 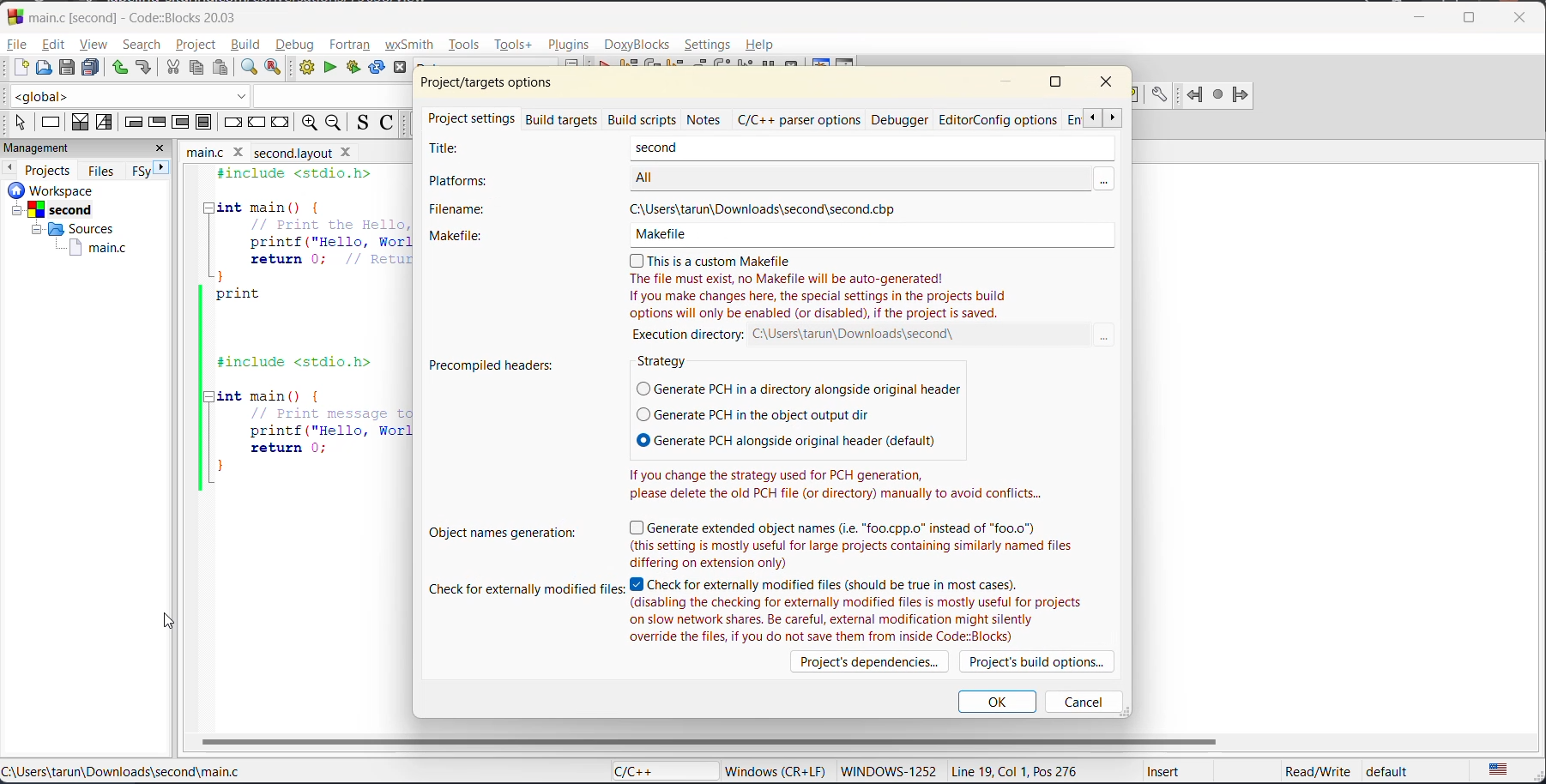 What do you see at coordinates (208, 124) in the screenshot?
I see `block instruction` at bounding box center [208, 124].